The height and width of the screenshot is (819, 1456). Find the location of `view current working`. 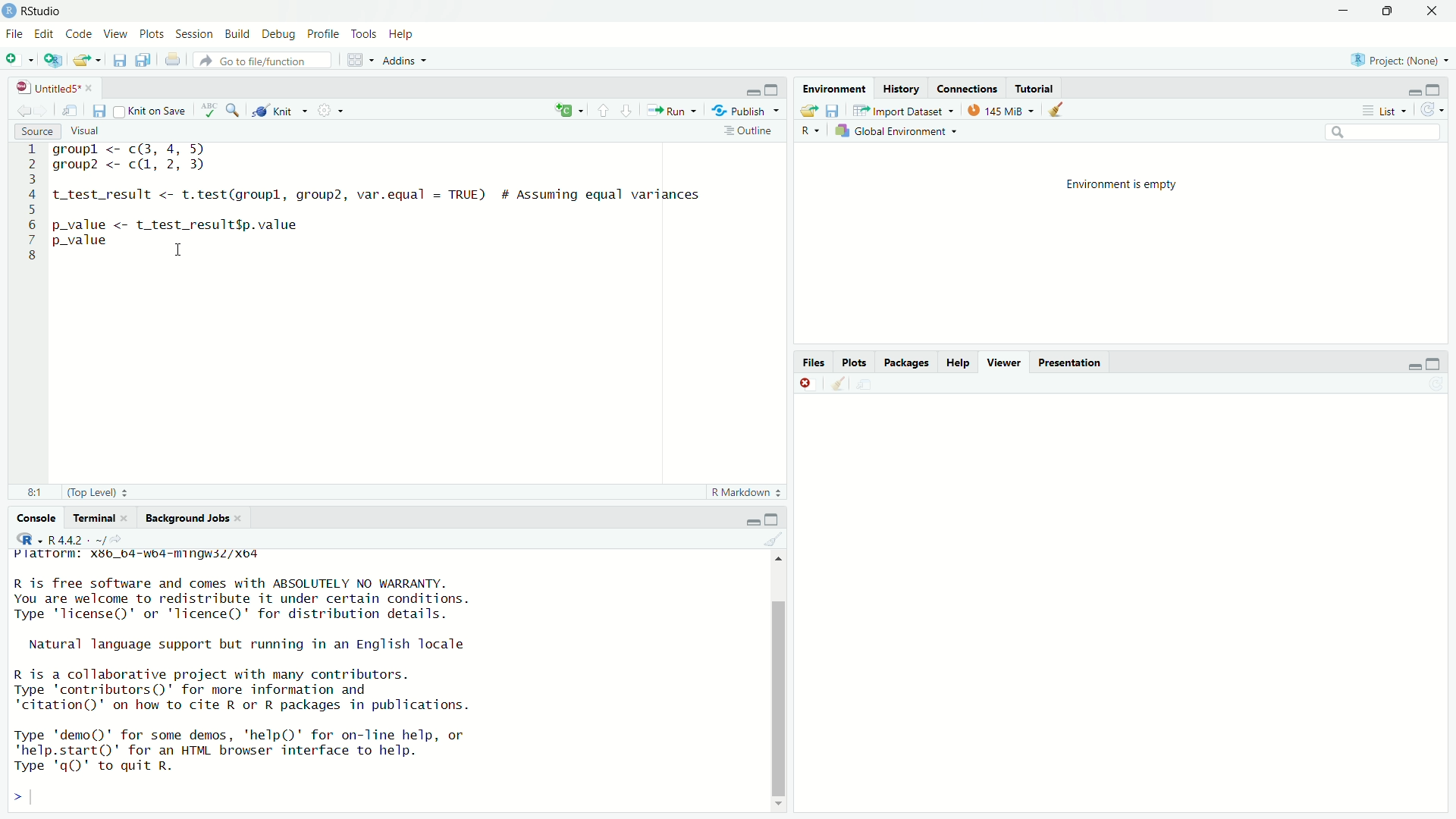

view current working is located at coordinates (120, 539).